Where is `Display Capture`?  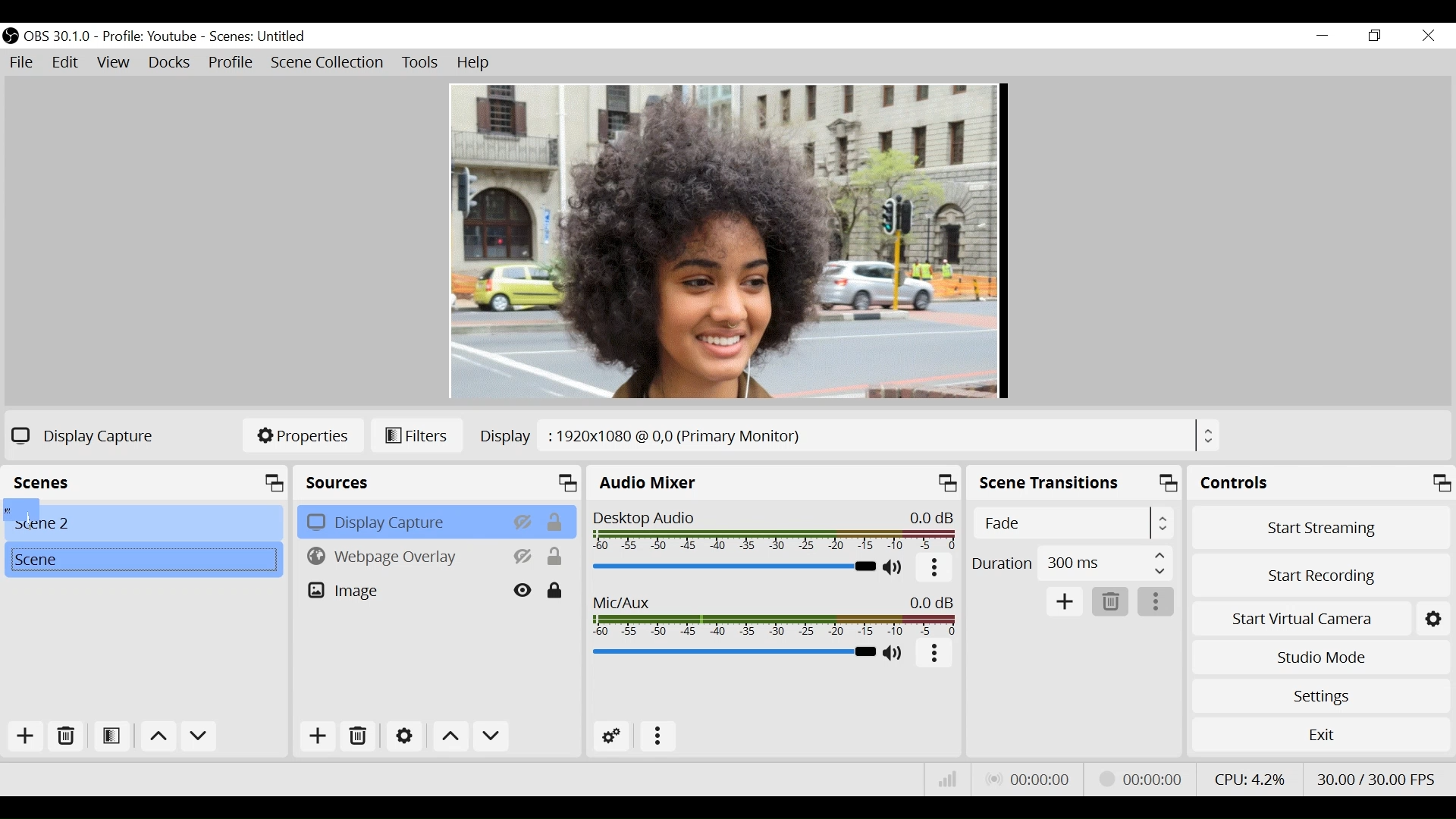
Display Capture is located at coordinates (401, 521).